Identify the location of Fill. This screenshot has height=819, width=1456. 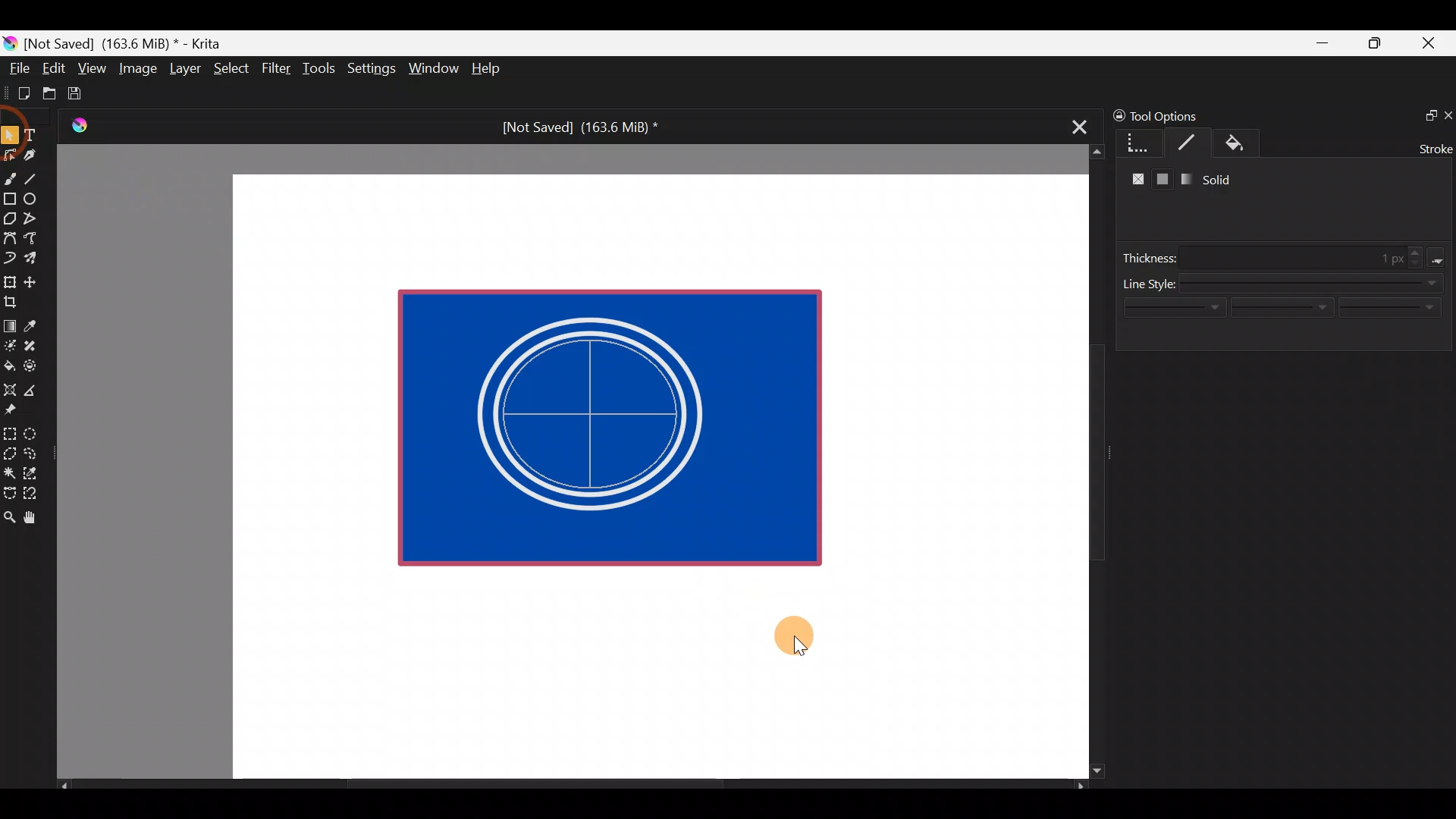
(1250, 144).